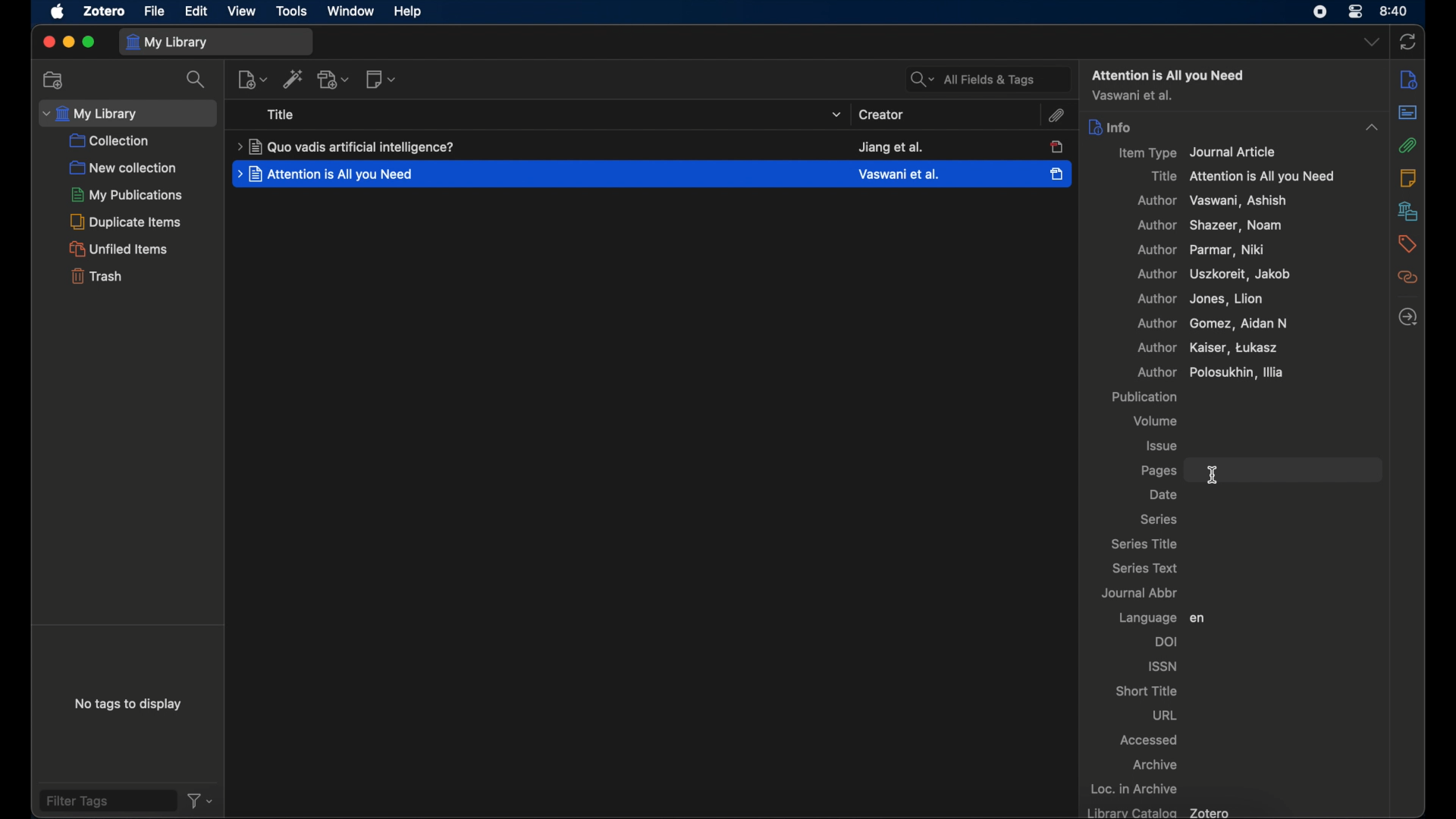 This screenshot has height=819, width=1456. I want to click on item unselected, so click(1059, 147).